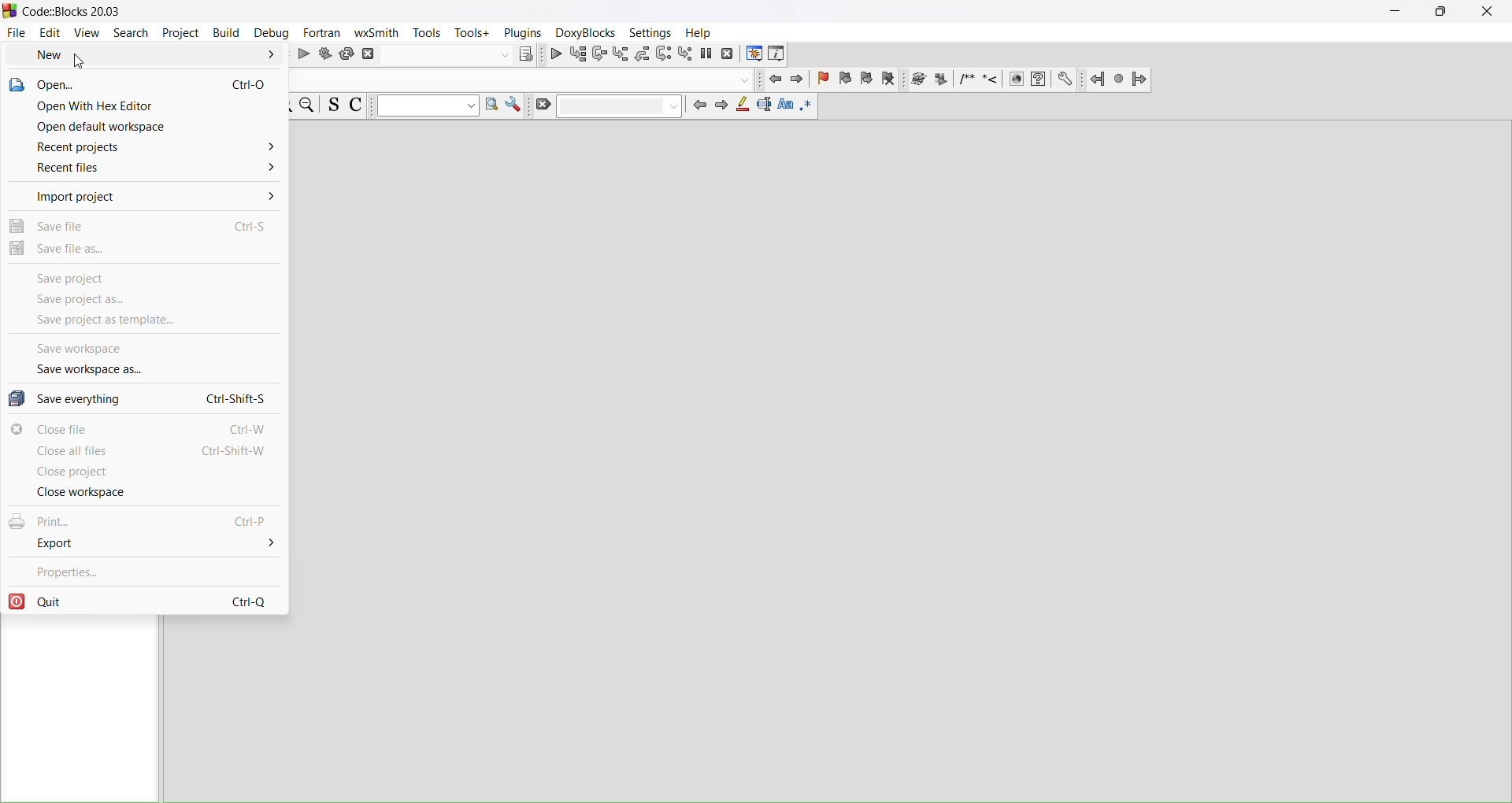  I want to click on toggle searches, so click(333, 105).